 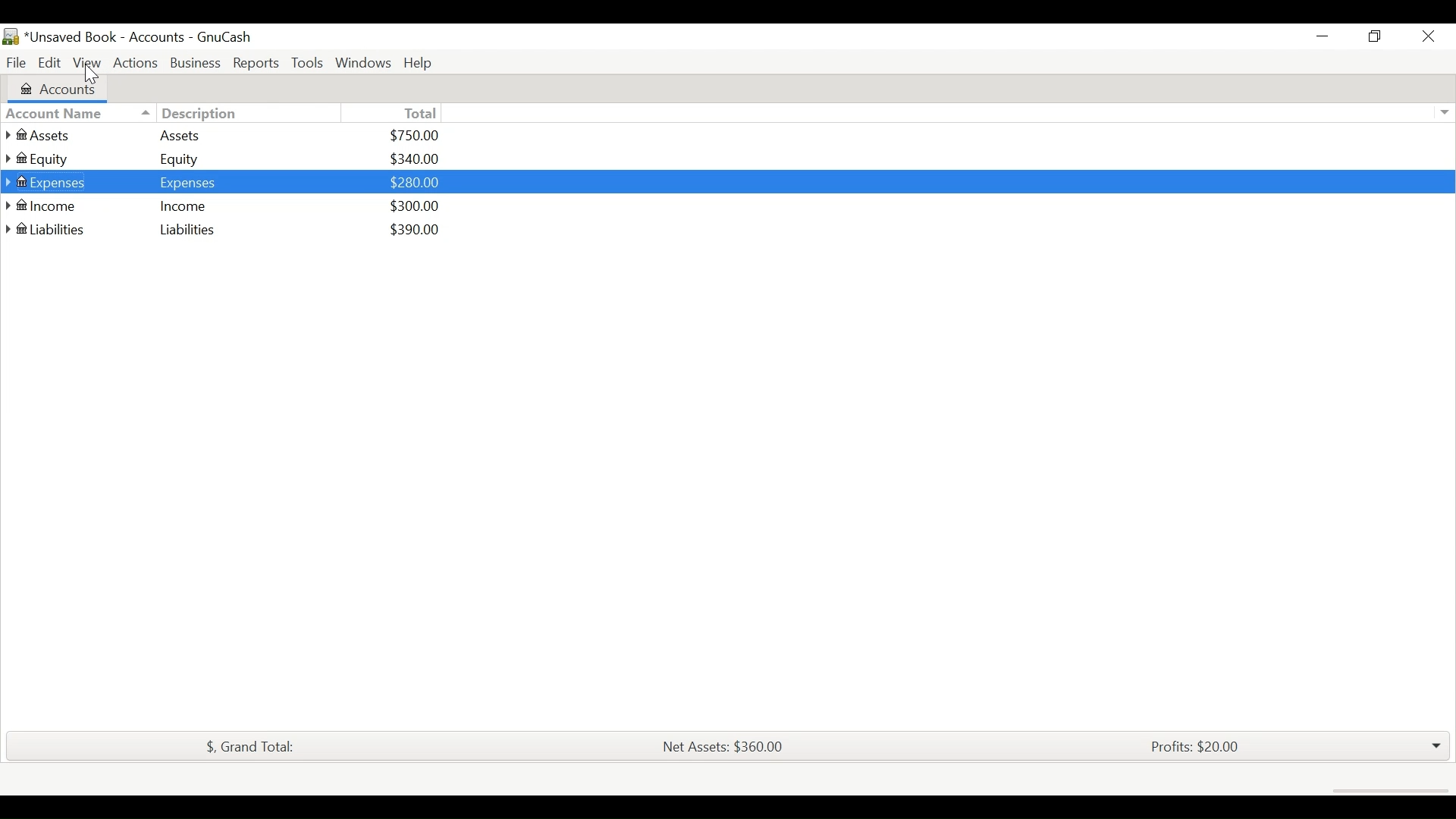 What do you see at coordinates (136, 61) in the screenshot?
I see `Actions` at bounding box center [136, 61].